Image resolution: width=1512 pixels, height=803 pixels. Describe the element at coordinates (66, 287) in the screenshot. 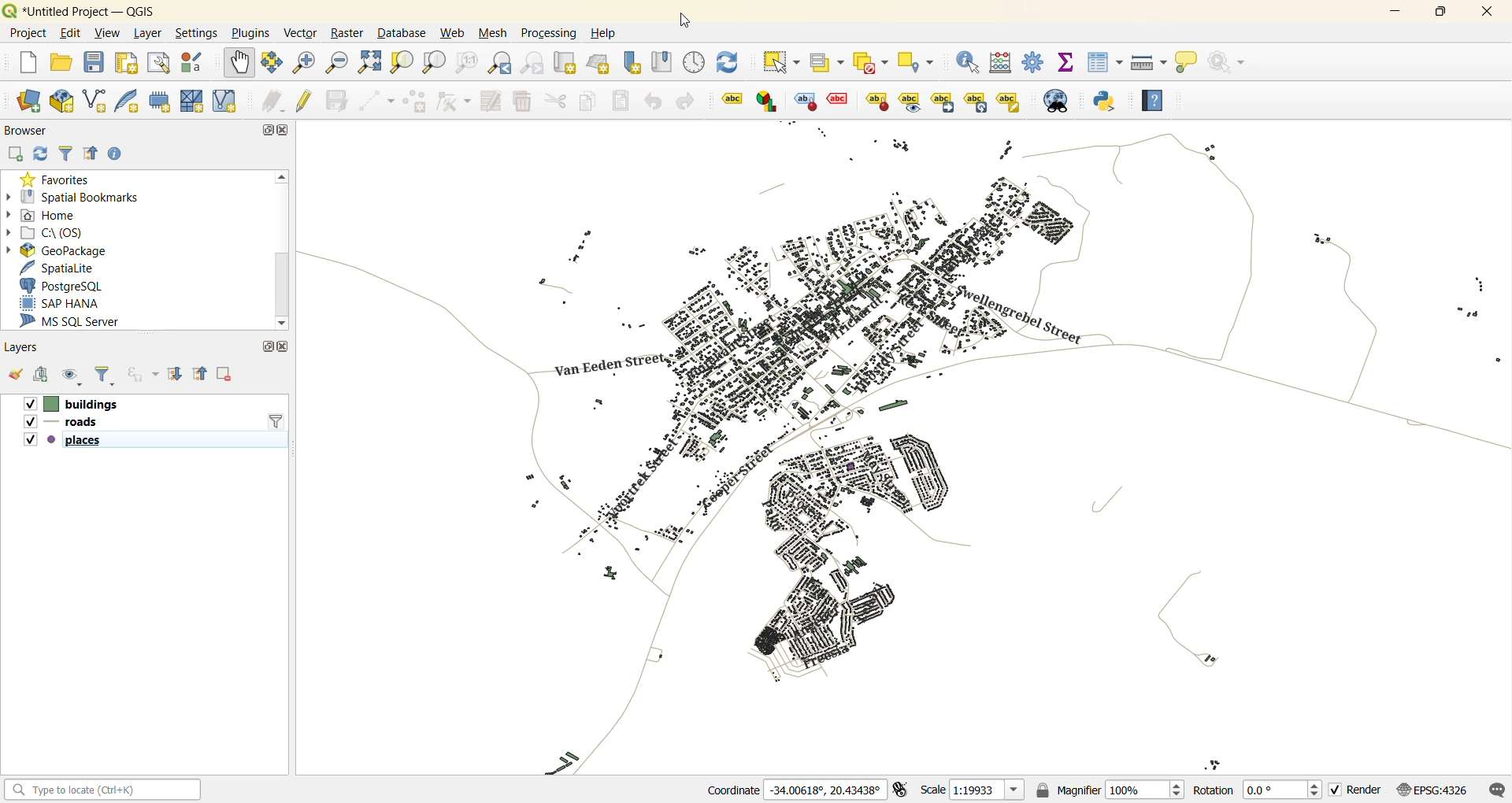

I see `postgresql` at that location.